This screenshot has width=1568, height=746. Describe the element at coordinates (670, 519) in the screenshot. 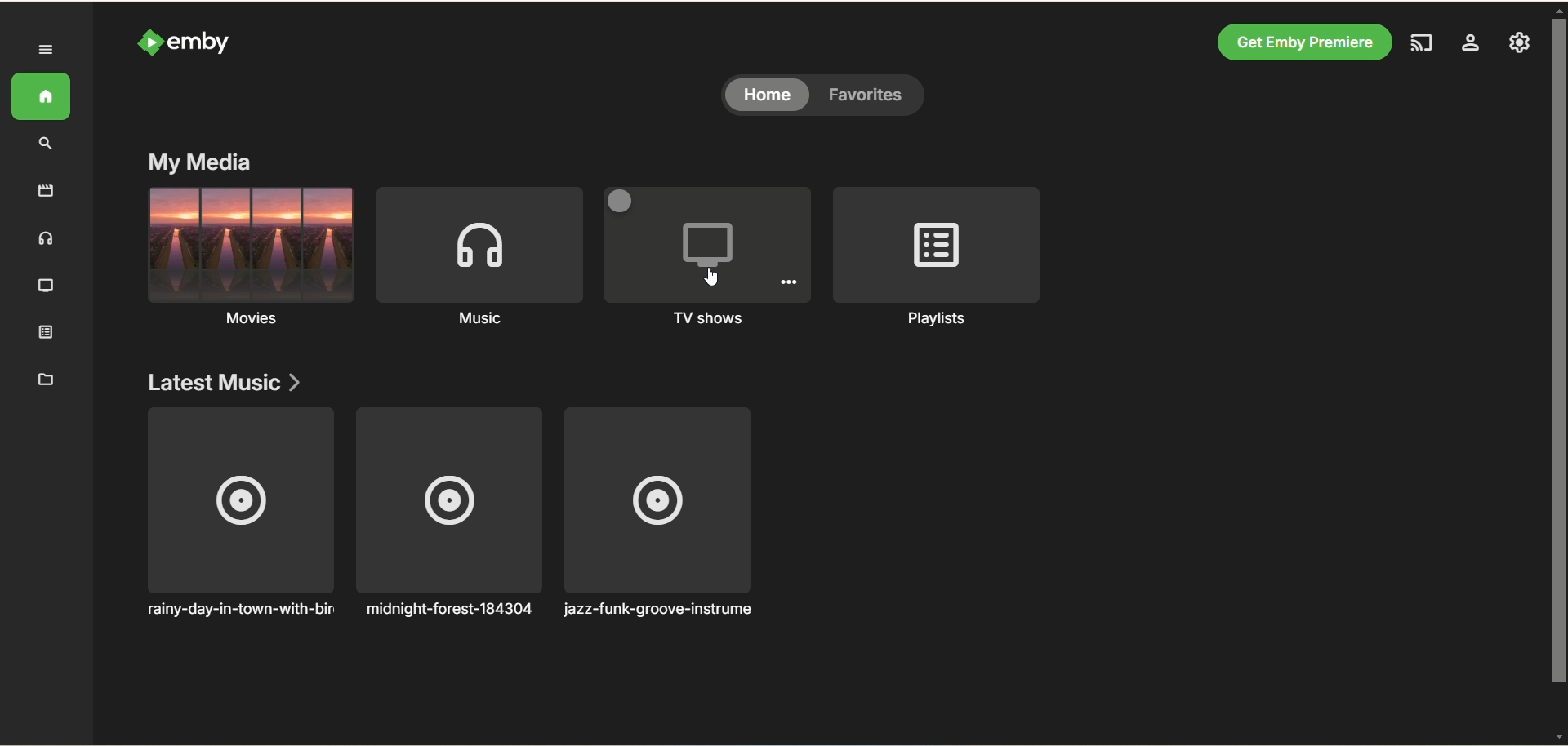

I see `jazz-funk-groove-instrume` at that location.